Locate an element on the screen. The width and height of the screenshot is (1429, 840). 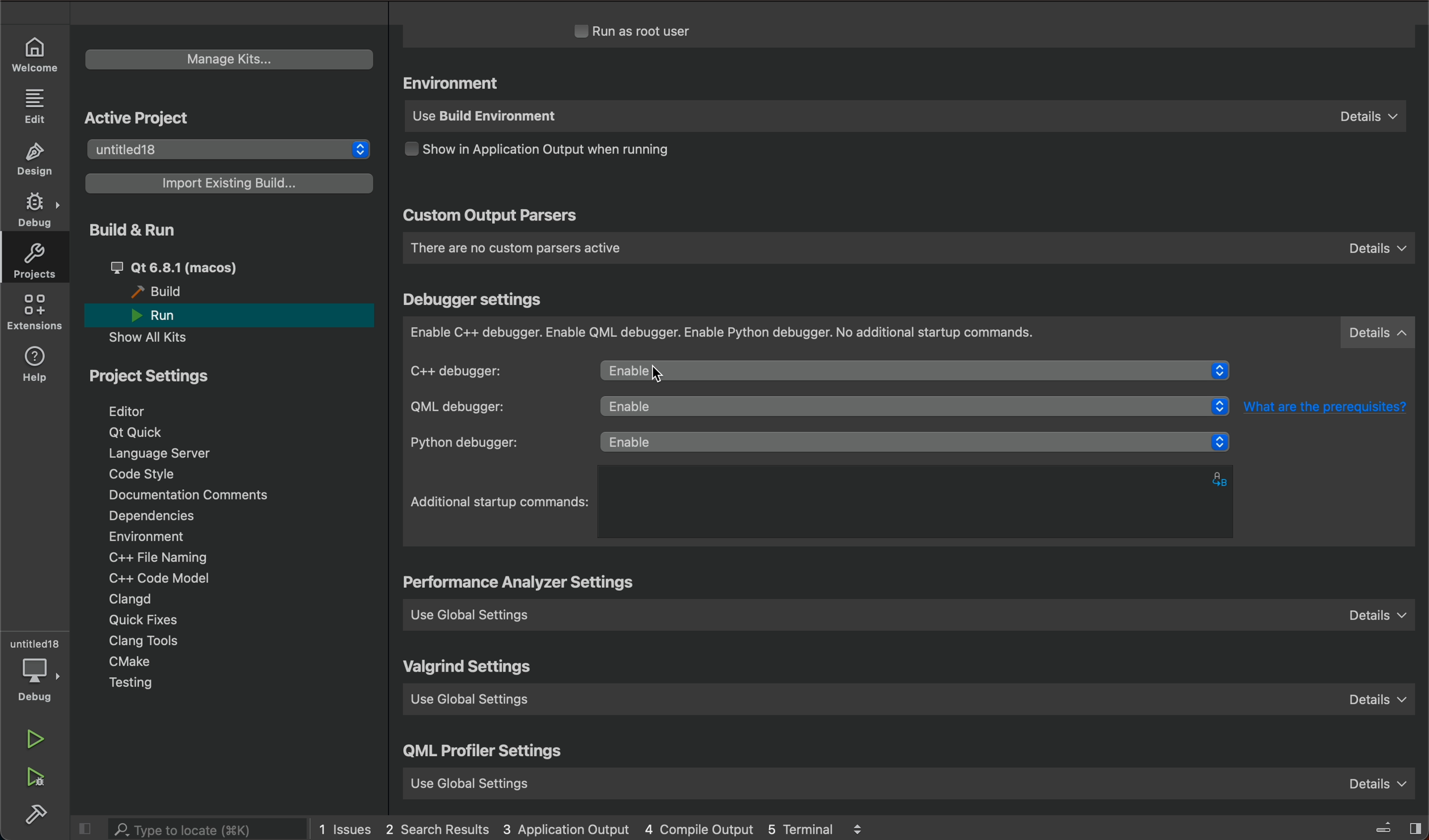
alphabets is located at coordinates (1223, 478).